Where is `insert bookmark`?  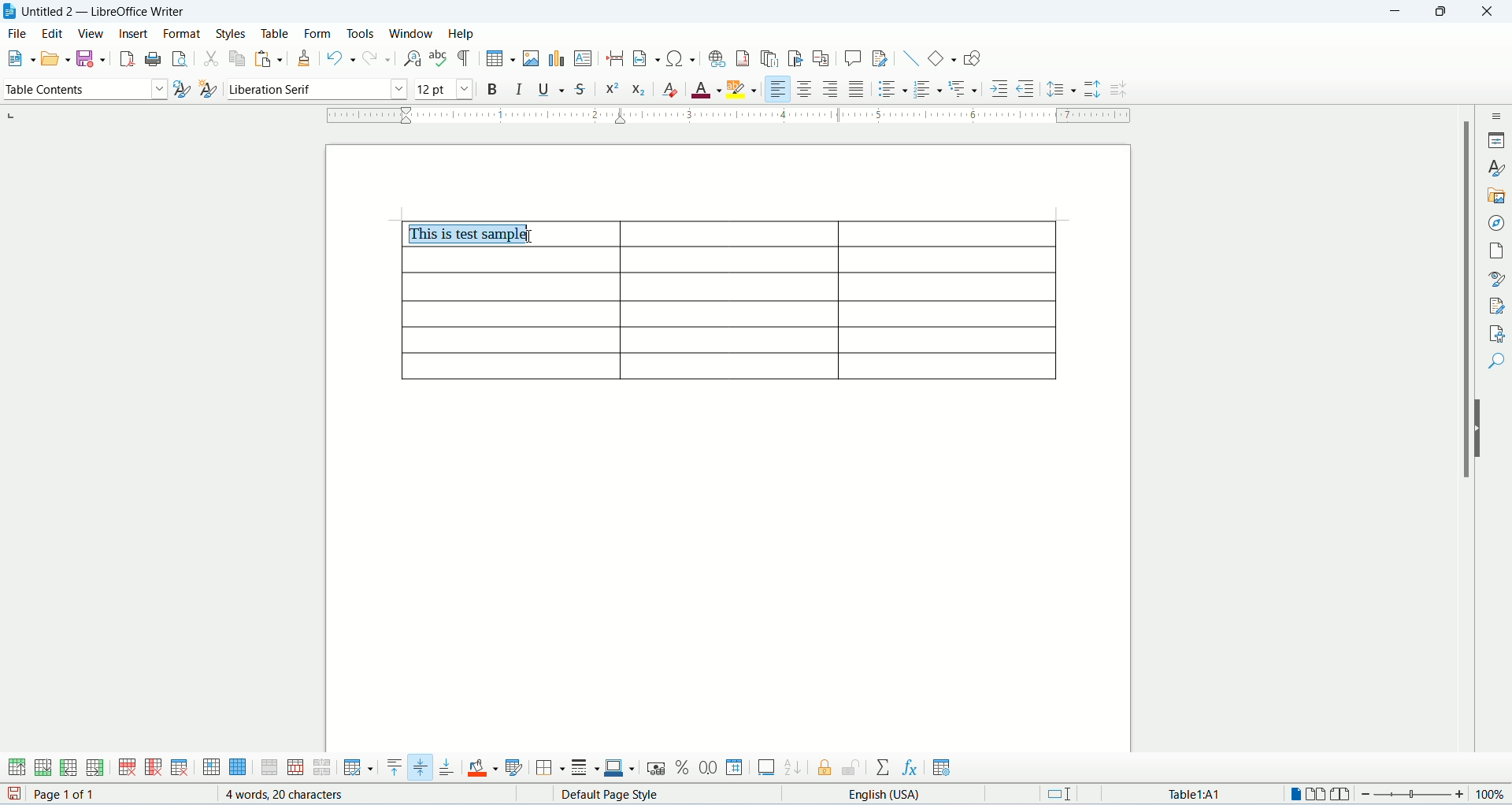
insert bookmark is located at coordinates (797, 56).